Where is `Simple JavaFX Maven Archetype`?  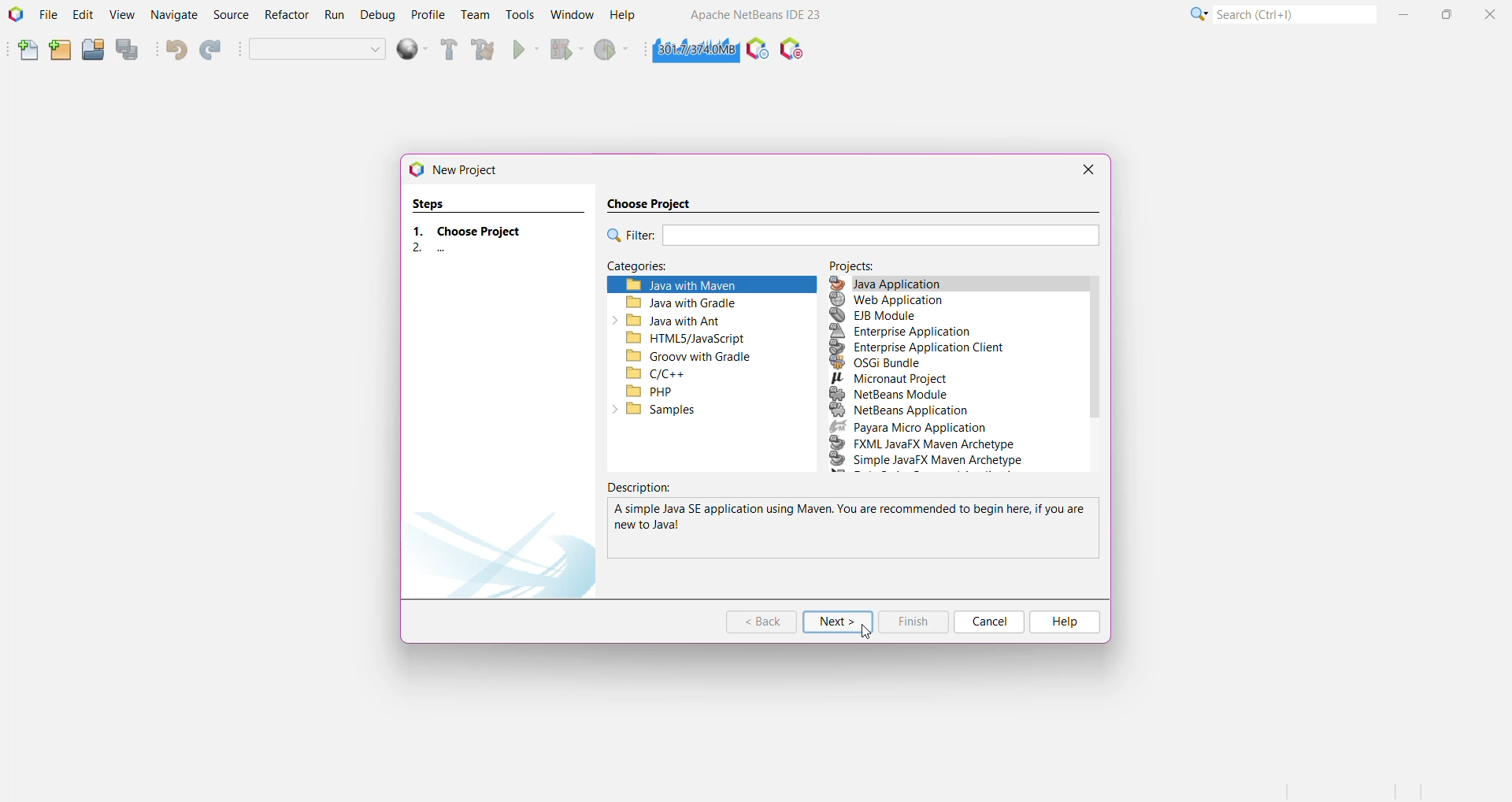 Simple JavaFX Maven Archetype is located at coordinates (928, 462).